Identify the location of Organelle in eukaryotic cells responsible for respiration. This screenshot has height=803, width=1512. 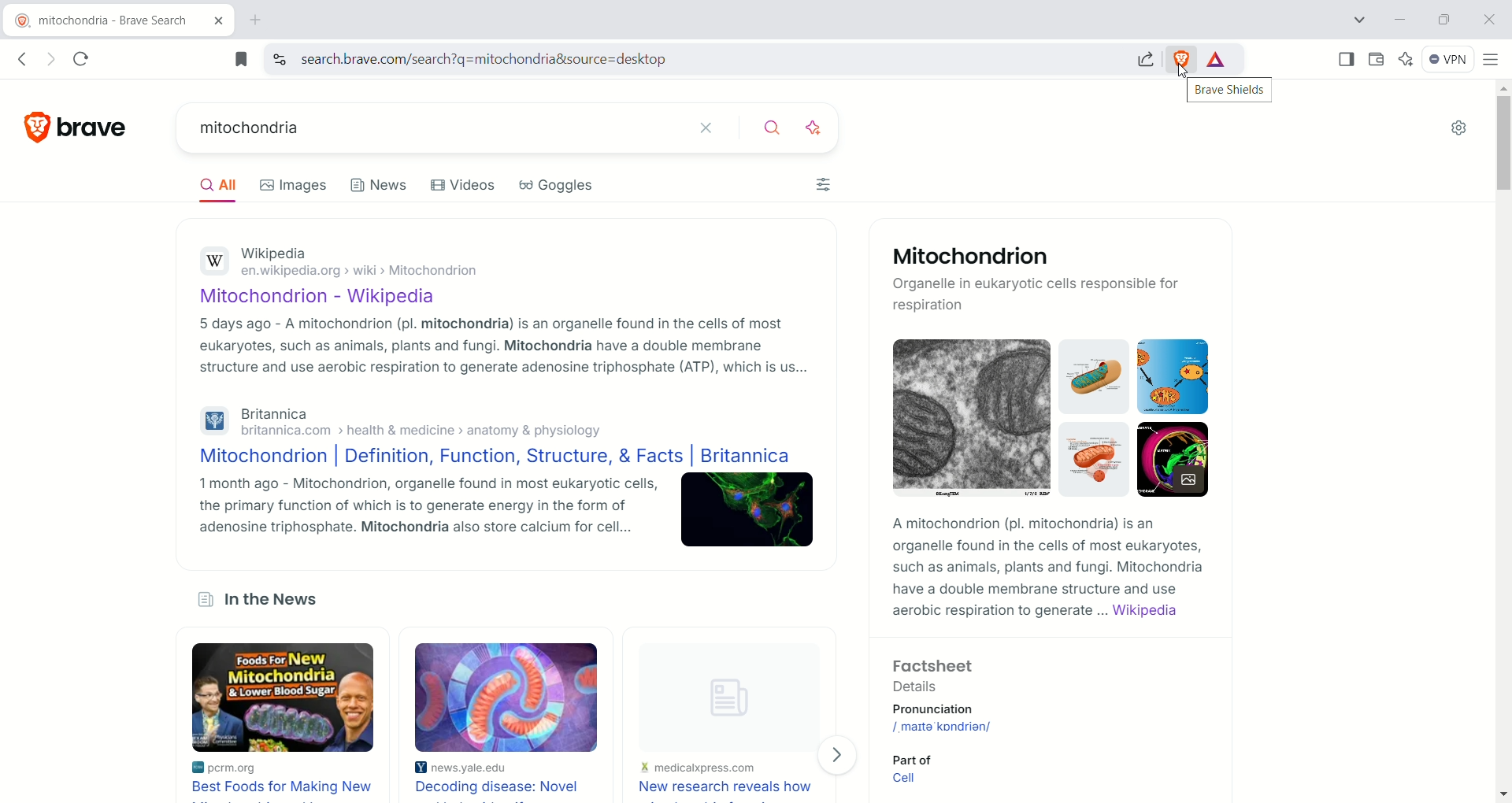
(1038, 295).